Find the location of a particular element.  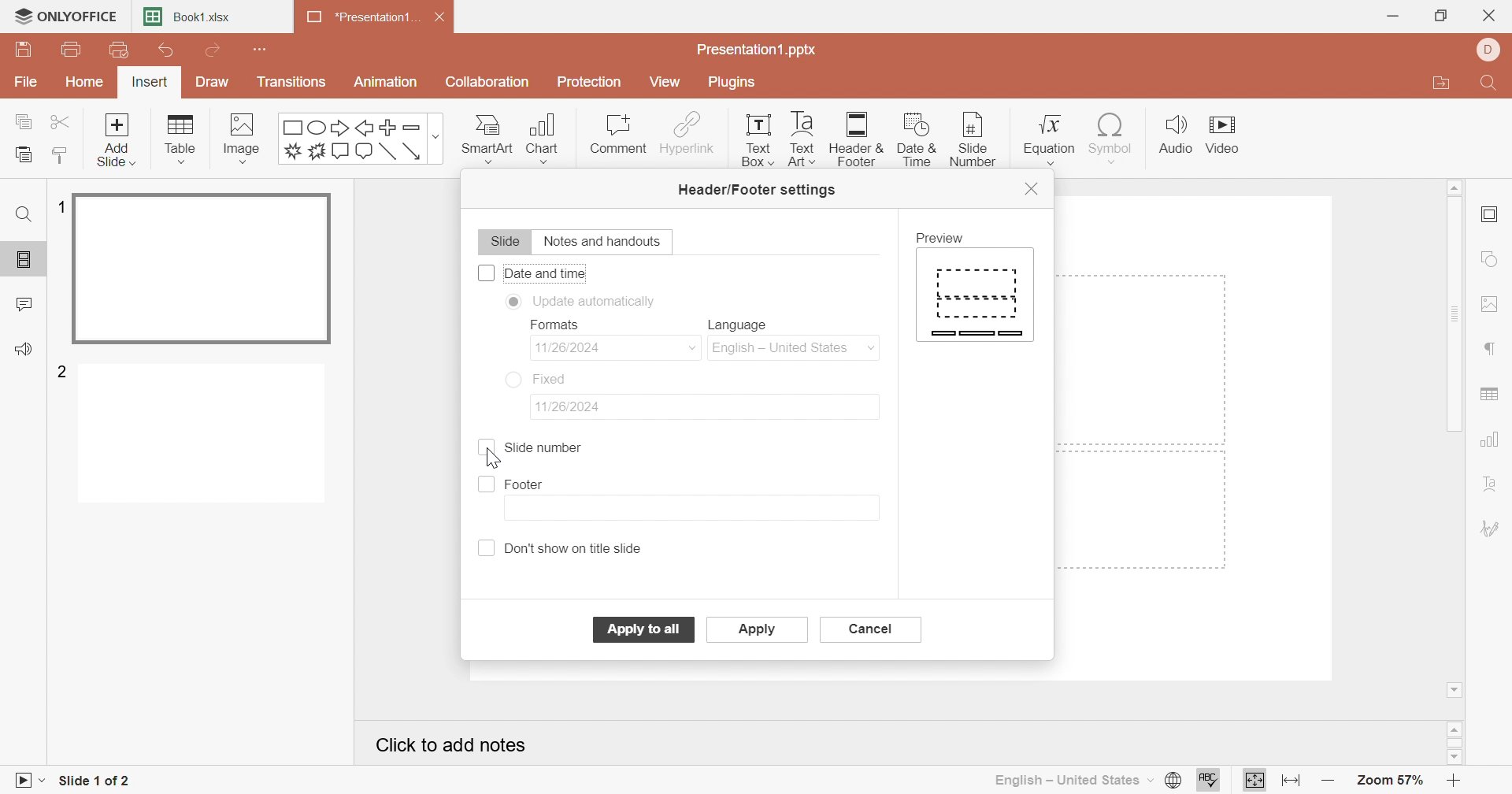

DELL is located at coordinates (1492, 50).